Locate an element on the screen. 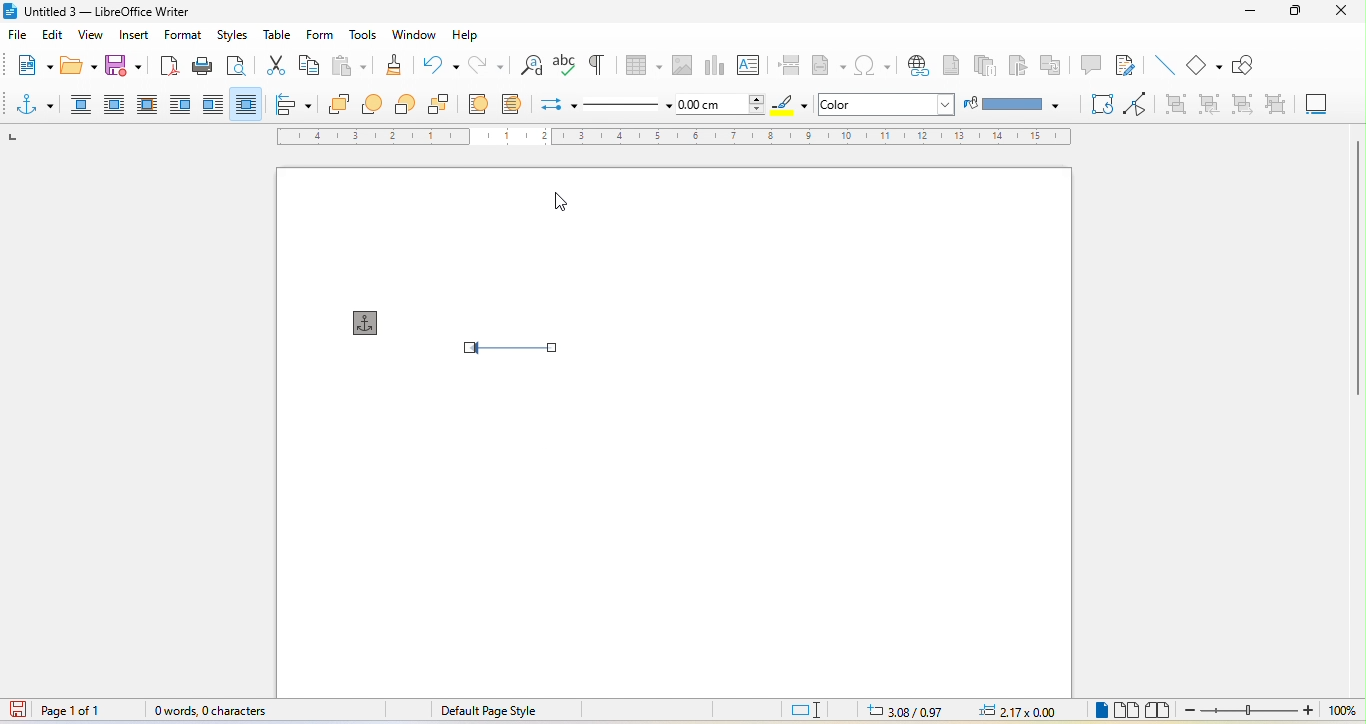  field is located at coordinates (829, 67).